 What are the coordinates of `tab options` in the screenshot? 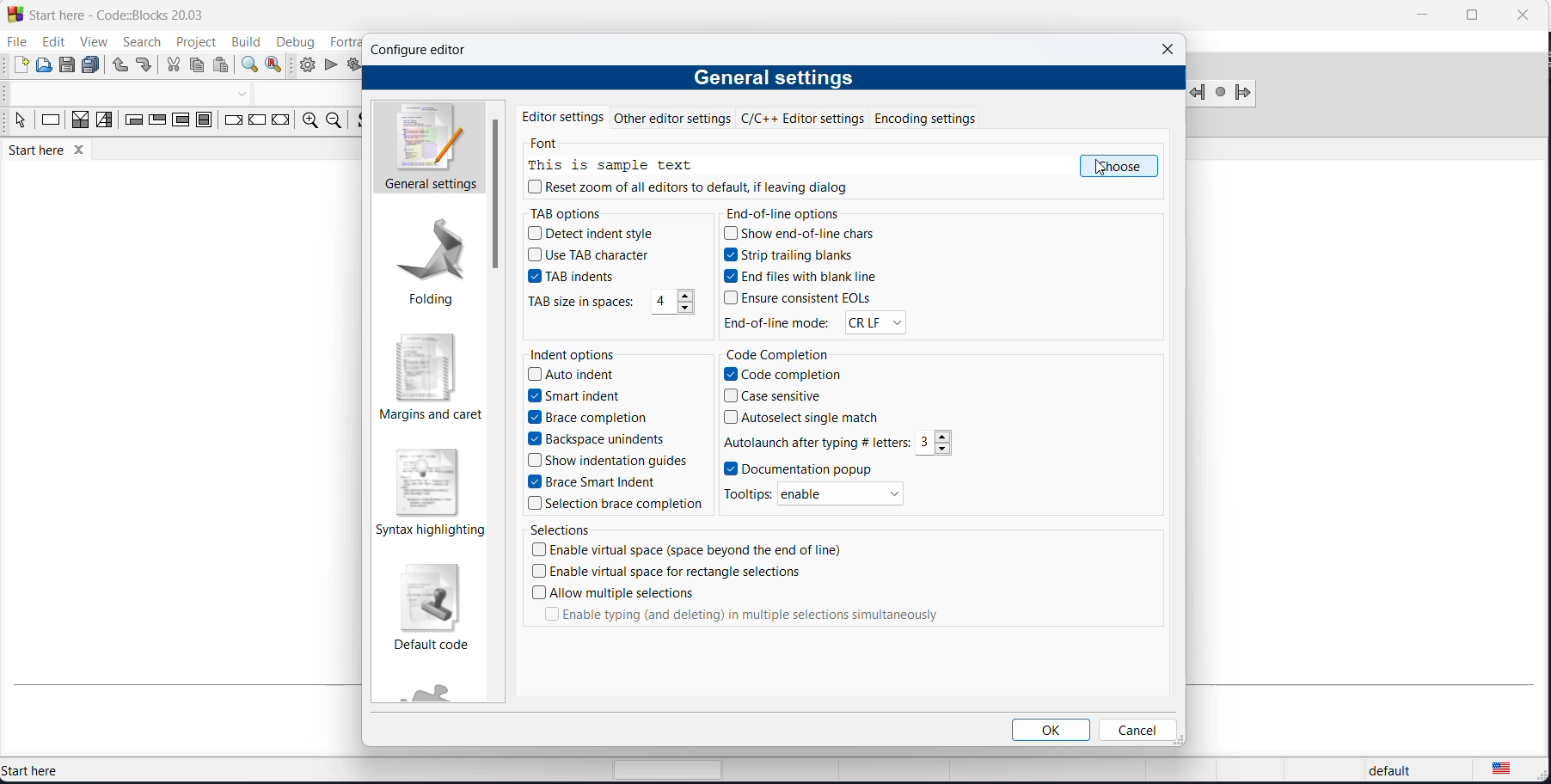 It's located at (574, 214).